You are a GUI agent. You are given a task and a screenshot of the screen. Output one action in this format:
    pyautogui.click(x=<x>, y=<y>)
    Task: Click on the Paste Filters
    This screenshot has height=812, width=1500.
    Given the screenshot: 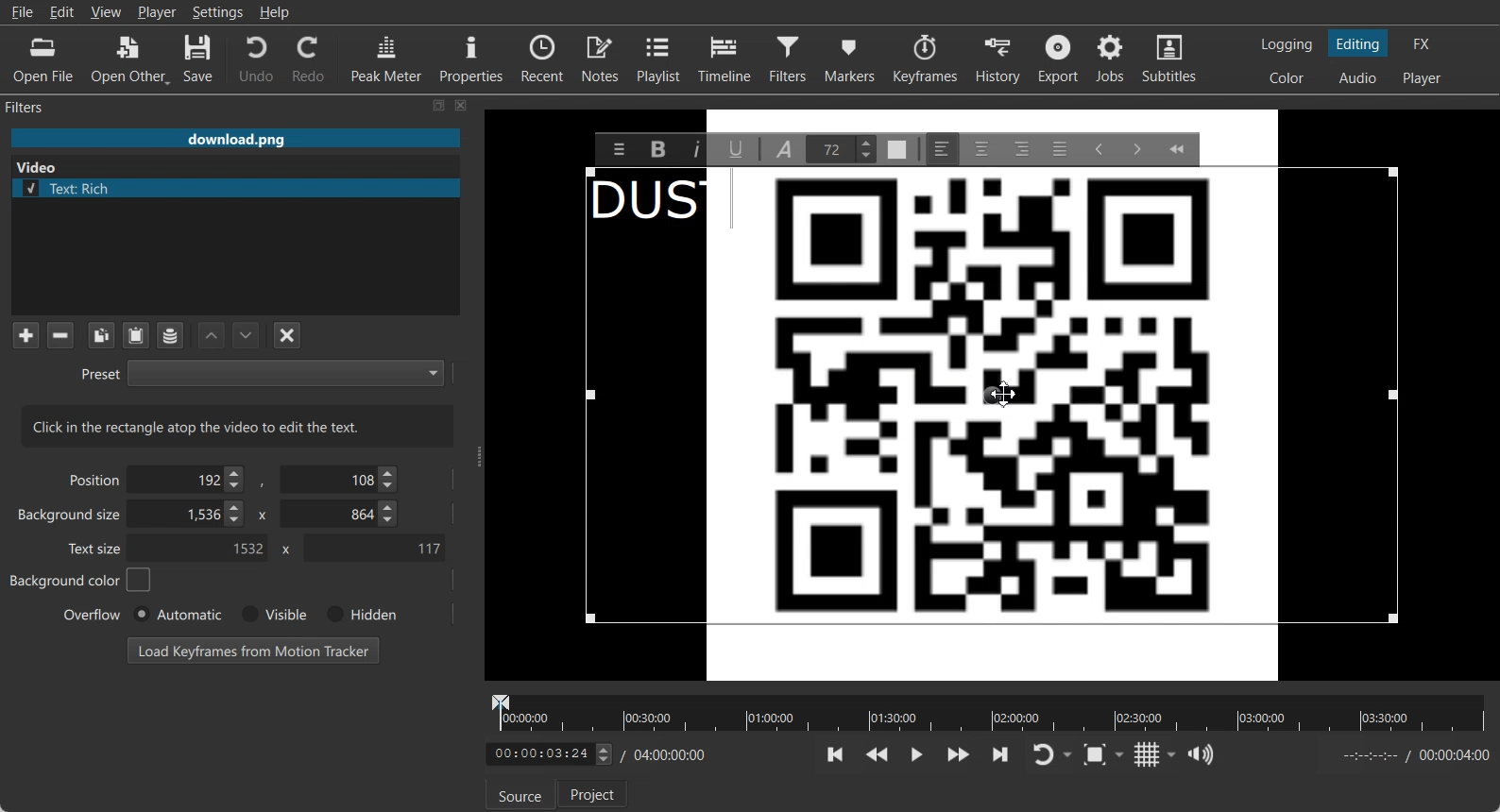 What is the action you would take?
    pyautogui.click(x=136, y=336)
    